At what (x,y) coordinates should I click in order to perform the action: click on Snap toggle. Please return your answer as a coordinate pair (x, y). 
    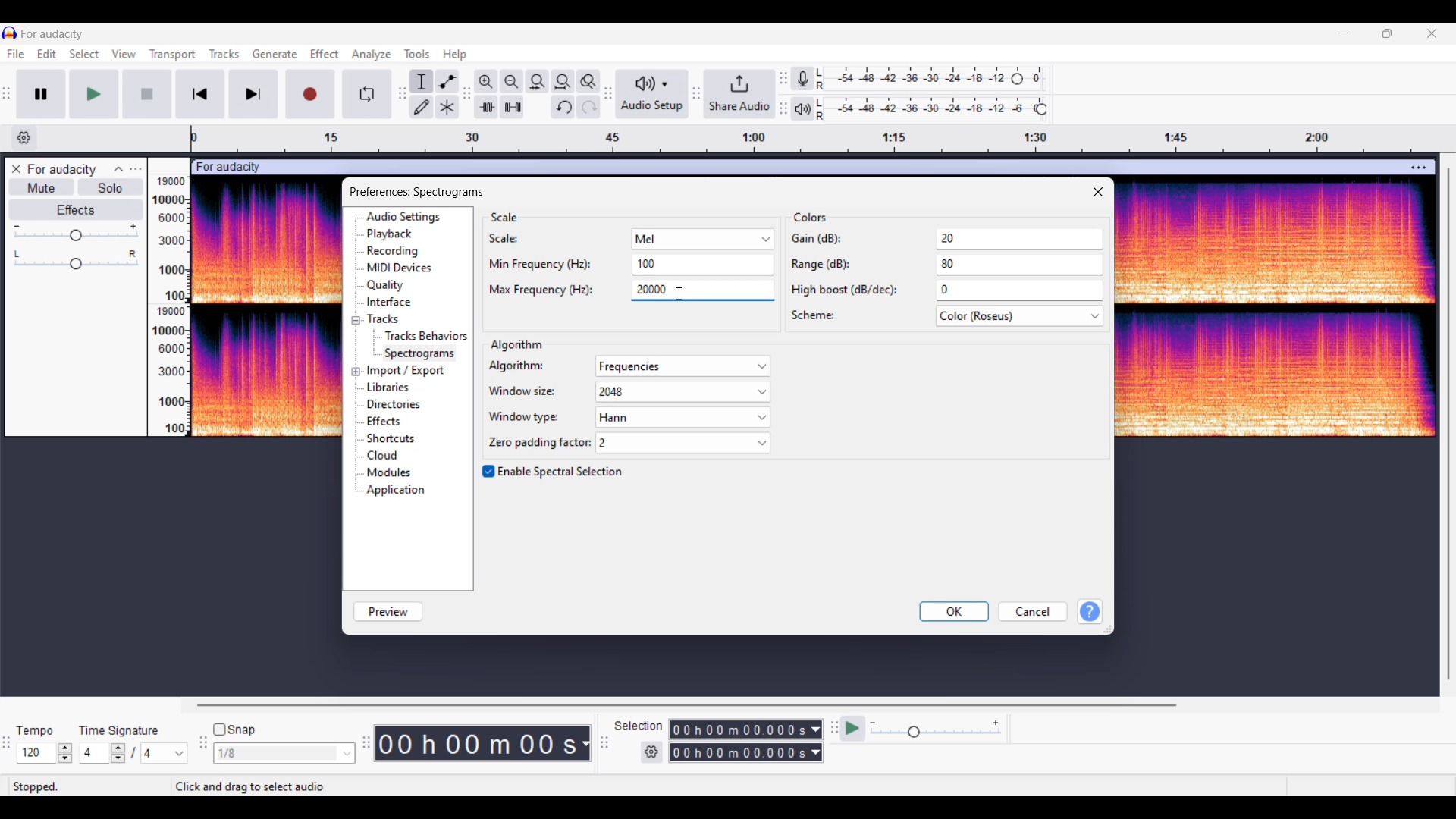
    Looking at the image, I should click on (234, 730).